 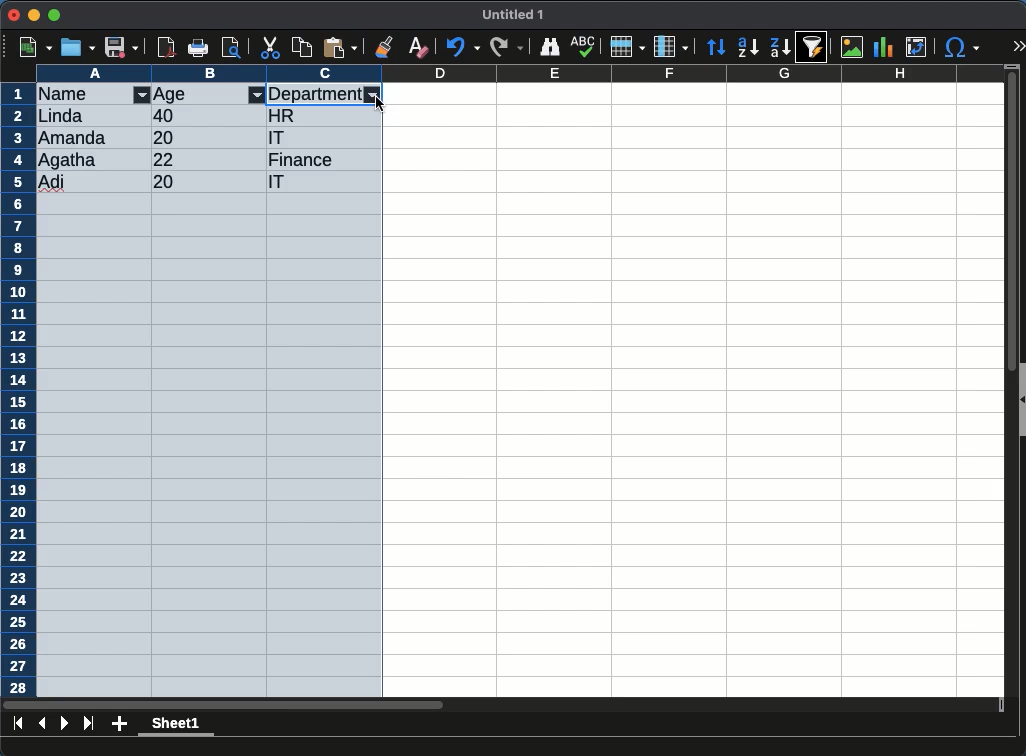 What do you see at coordinates (34, 47) in the screenshot?
I see `new` at bounding box center [34, 47].